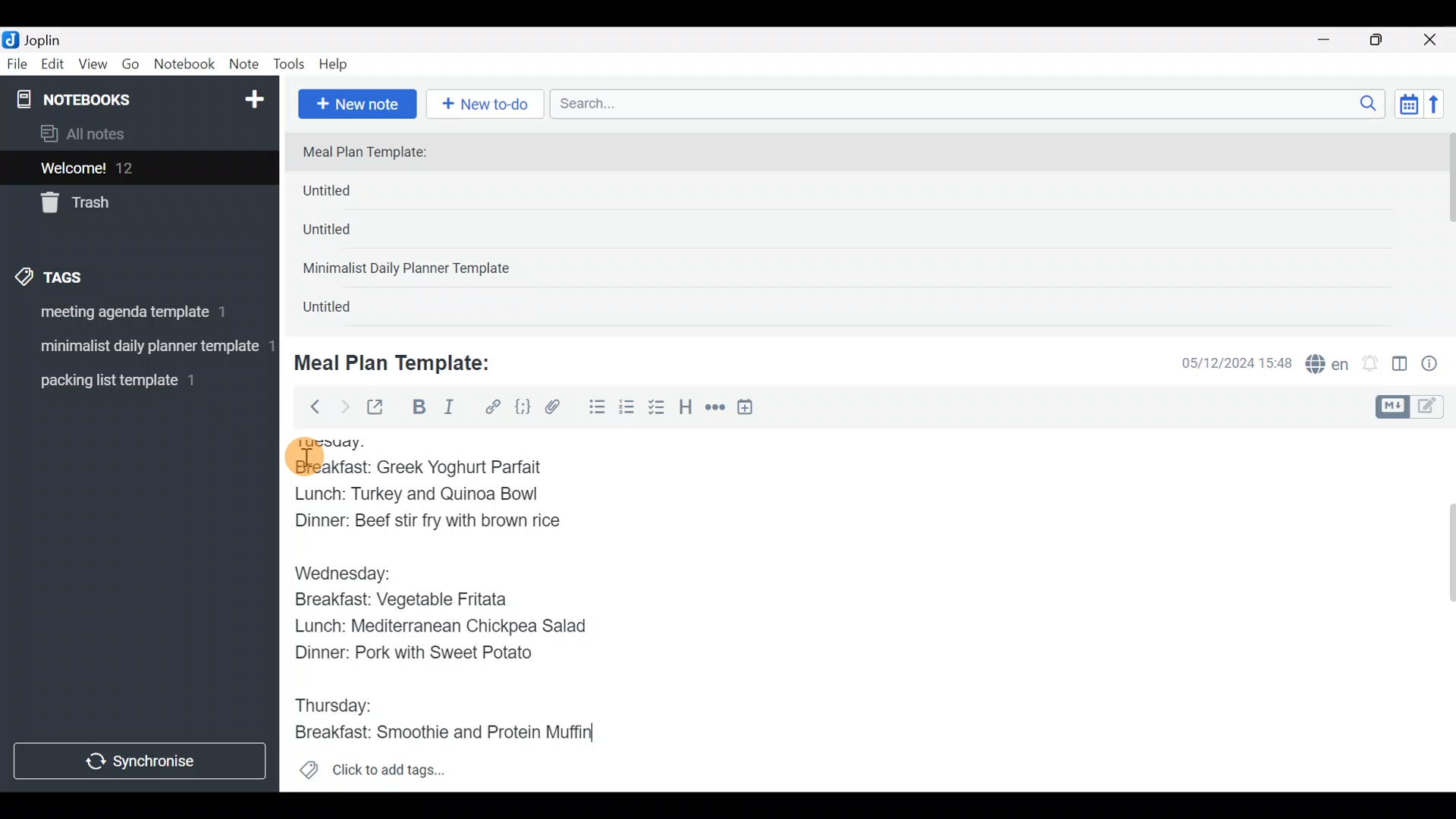 The width and height of the screenshot is (1456, 819). Describe the element at coordinates (290, 65) in the screenshot. I see `Tools` at that location.